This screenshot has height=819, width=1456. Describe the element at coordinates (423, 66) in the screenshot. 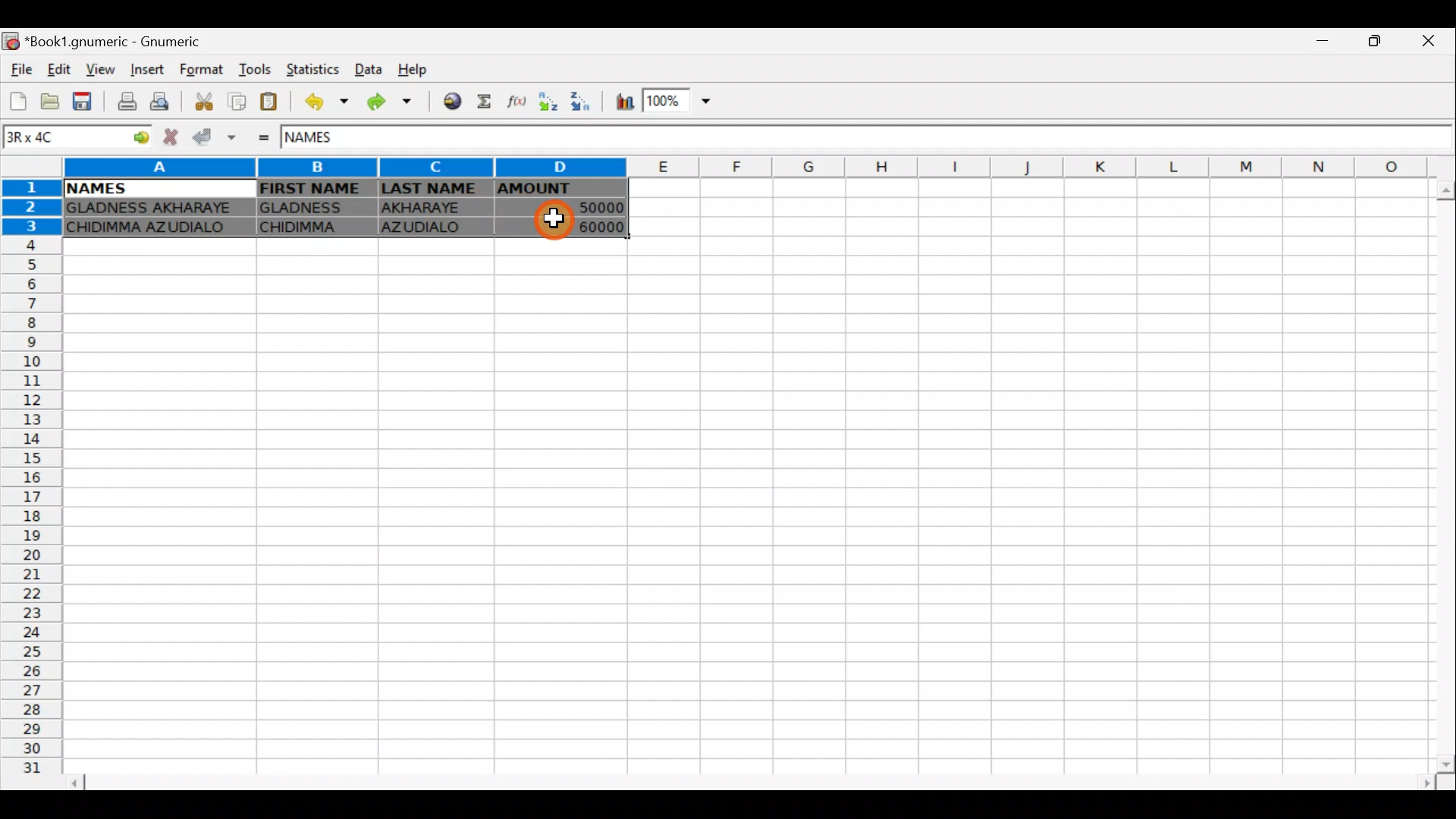

I see `Help` at that location.